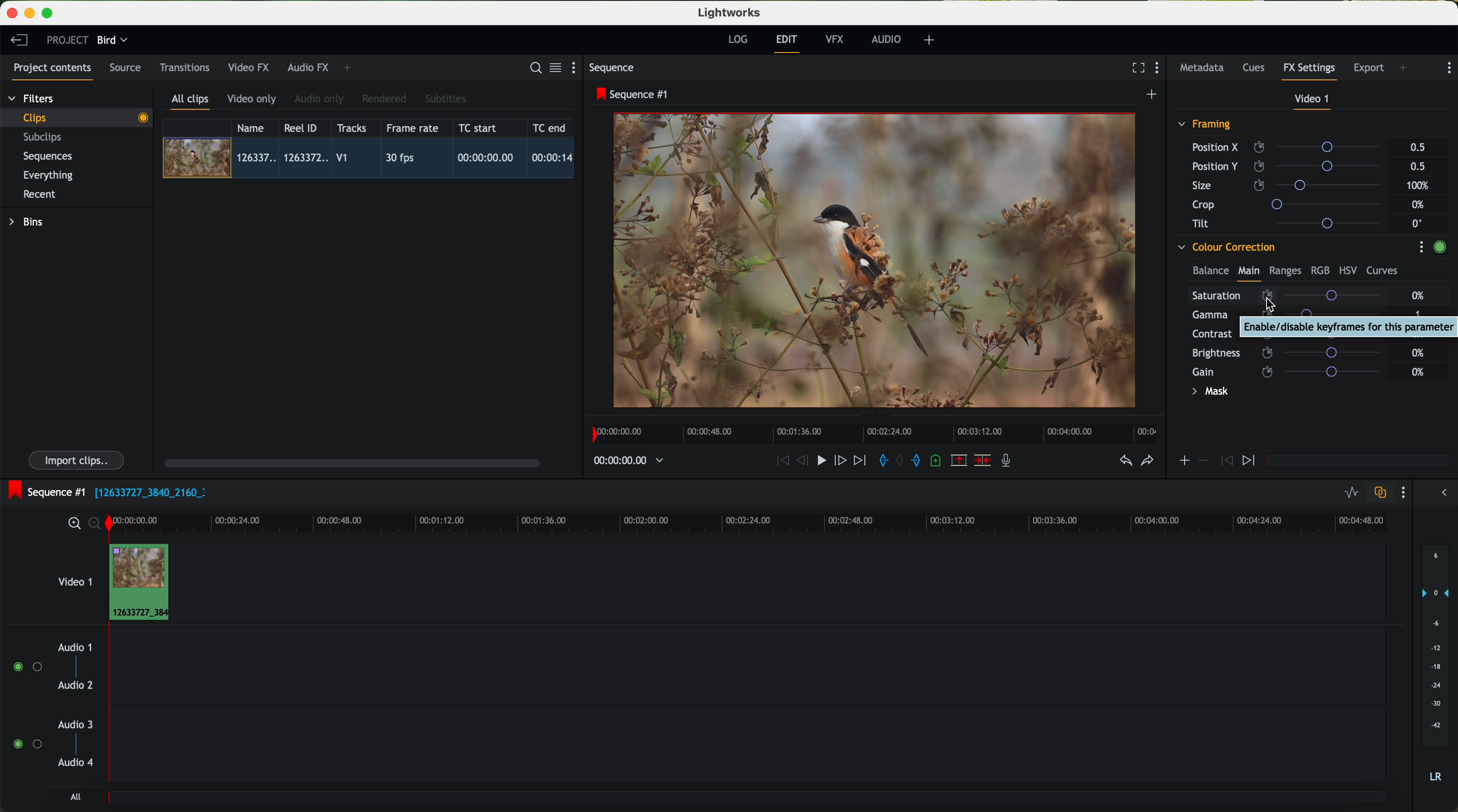 The width and height of the screenshot is (1458, 812). I want to click on move foward, so click(859, 461).